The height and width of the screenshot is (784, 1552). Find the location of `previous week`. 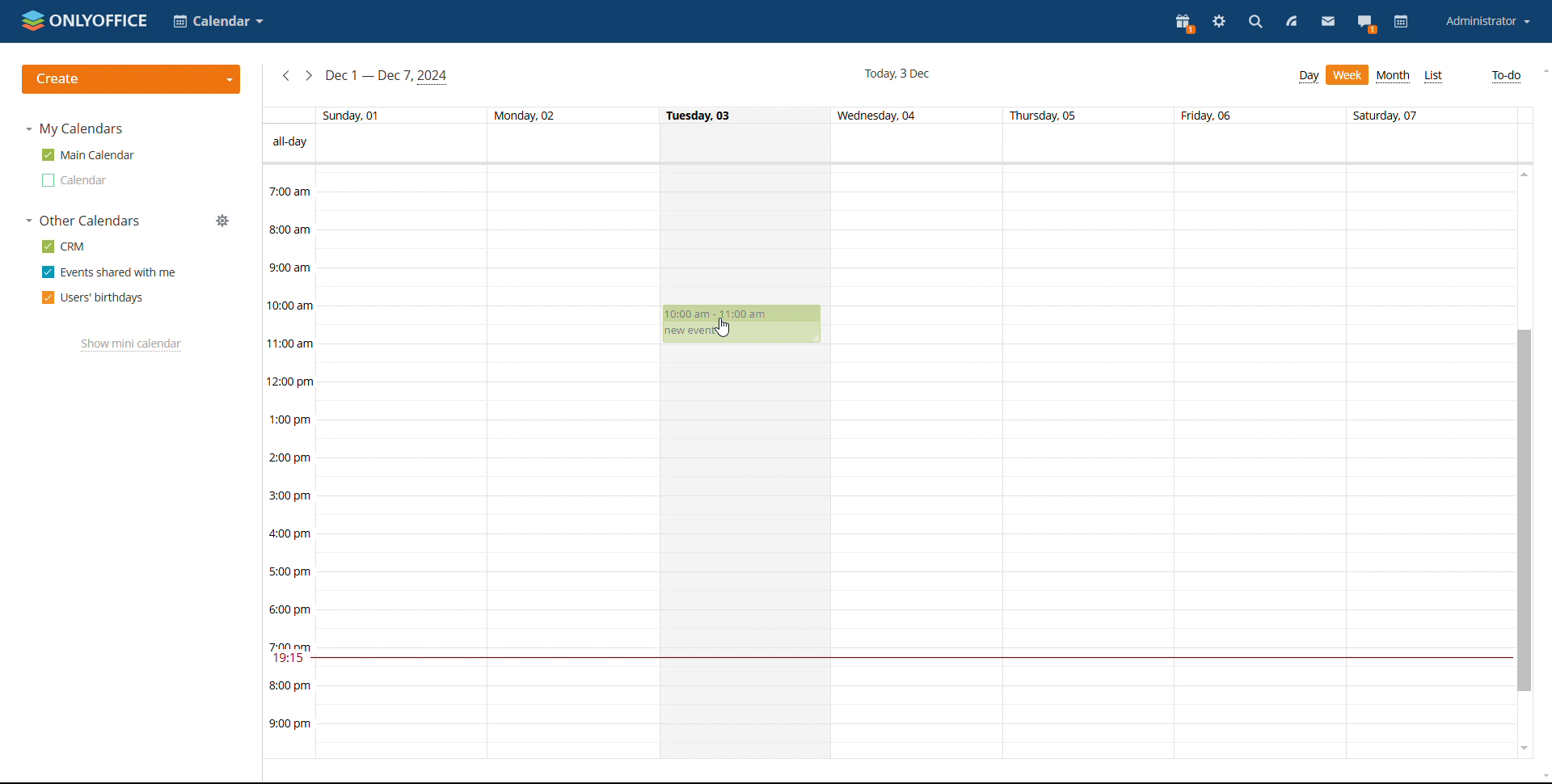

previous week is located at coordinates (286, 77).